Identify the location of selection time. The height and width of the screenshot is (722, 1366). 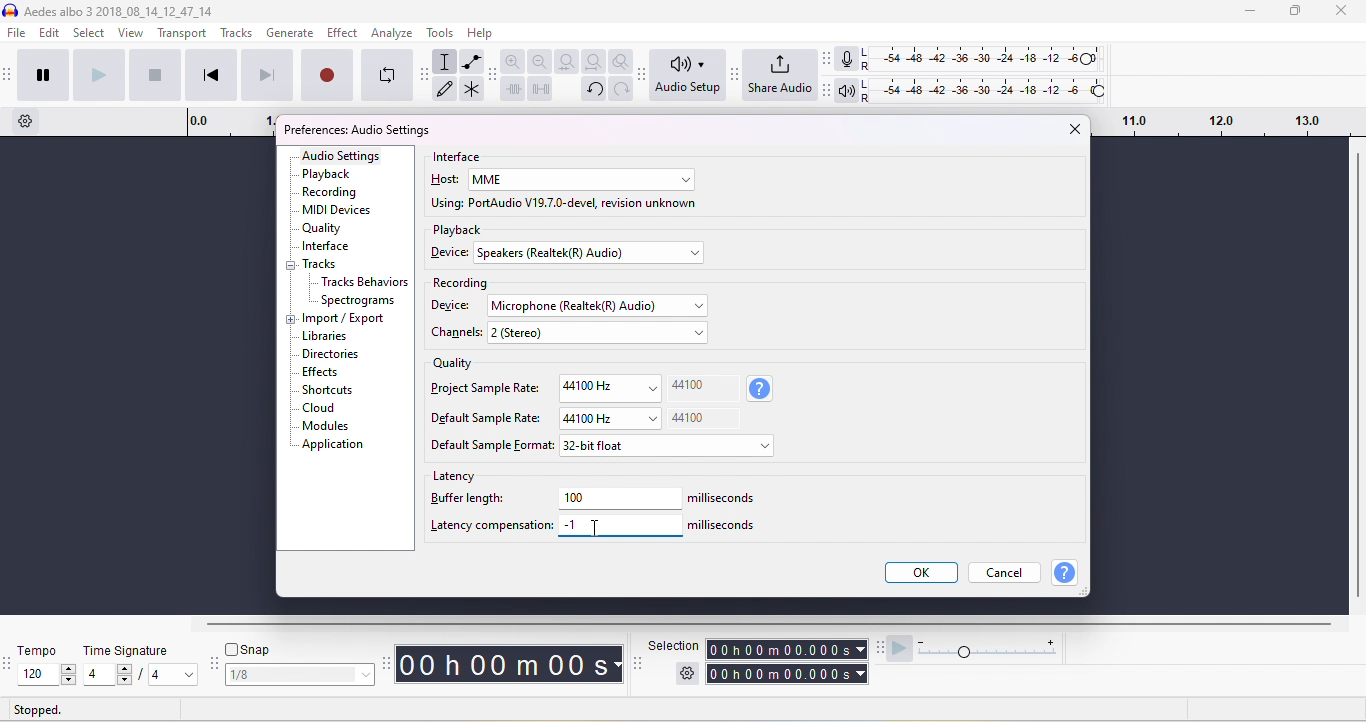
(778, 650).